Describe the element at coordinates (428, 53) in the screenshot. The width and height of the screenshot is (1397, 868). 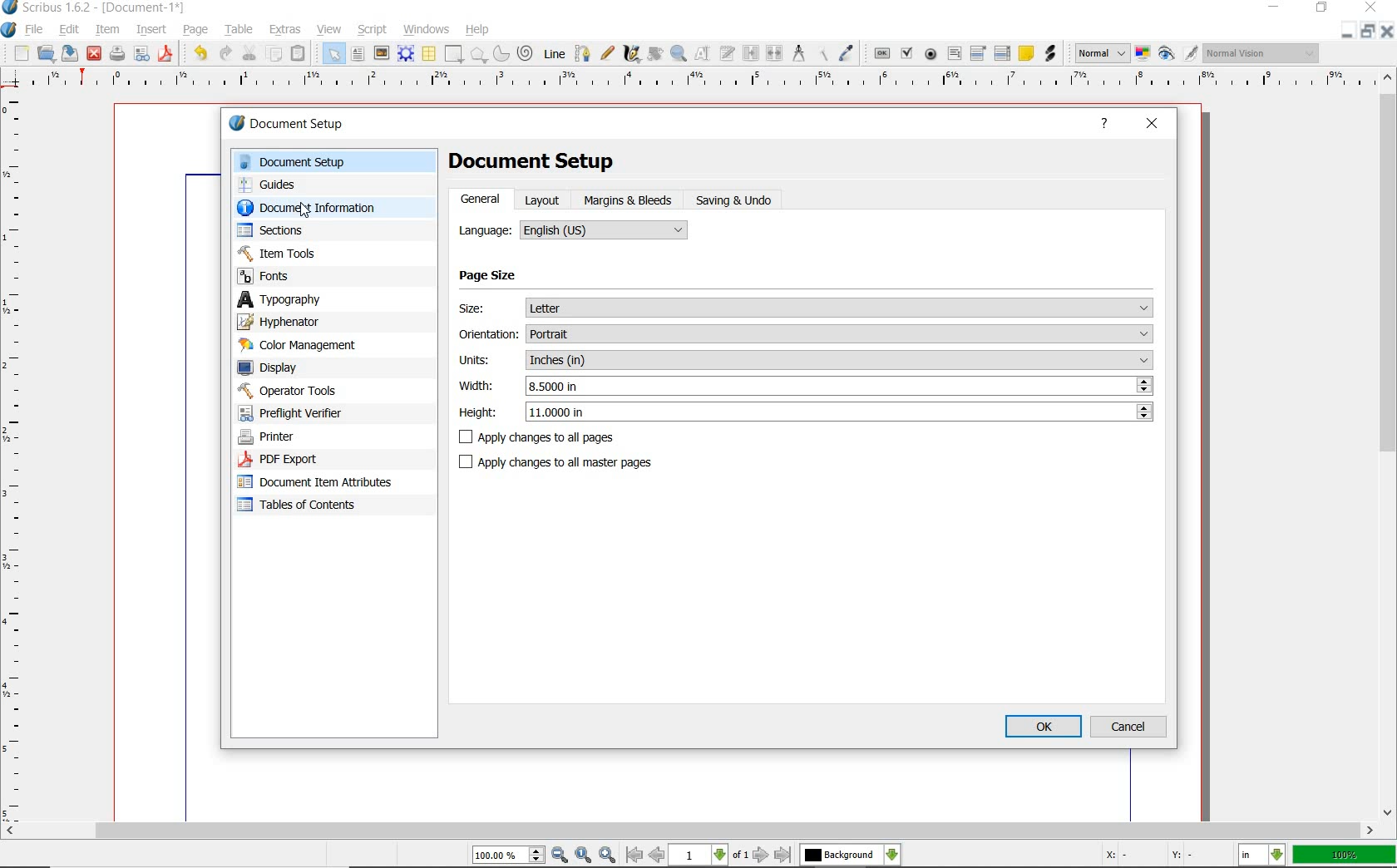
I see `table` at that location.